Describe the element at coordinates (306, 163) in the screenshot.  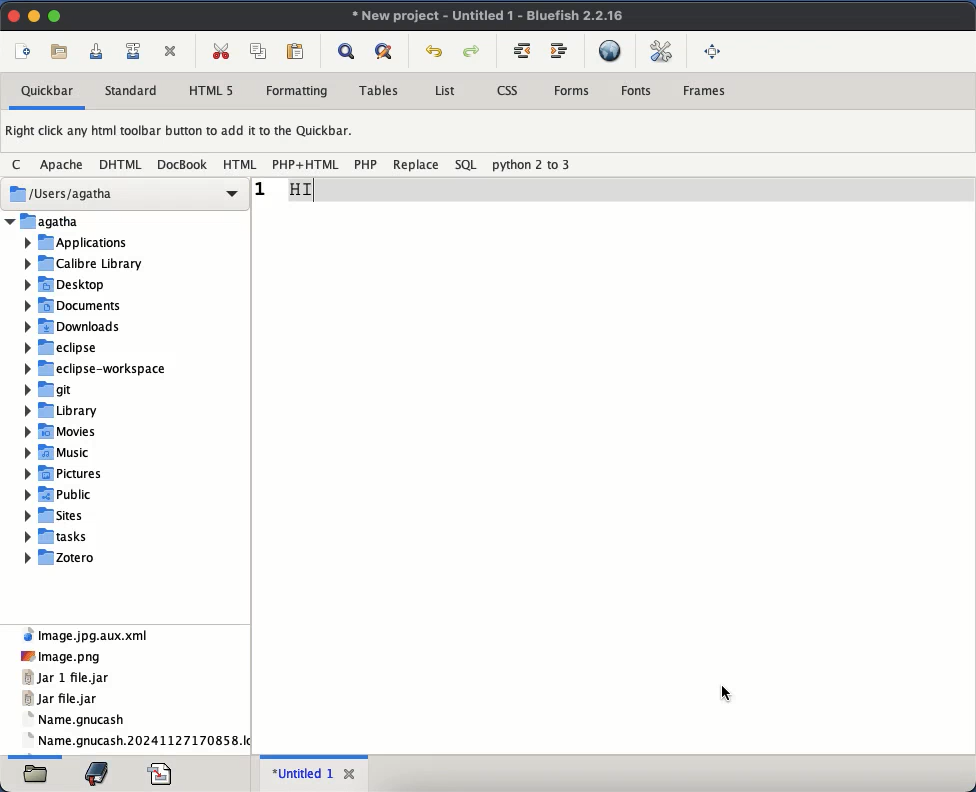
I see `php + html` at that location.